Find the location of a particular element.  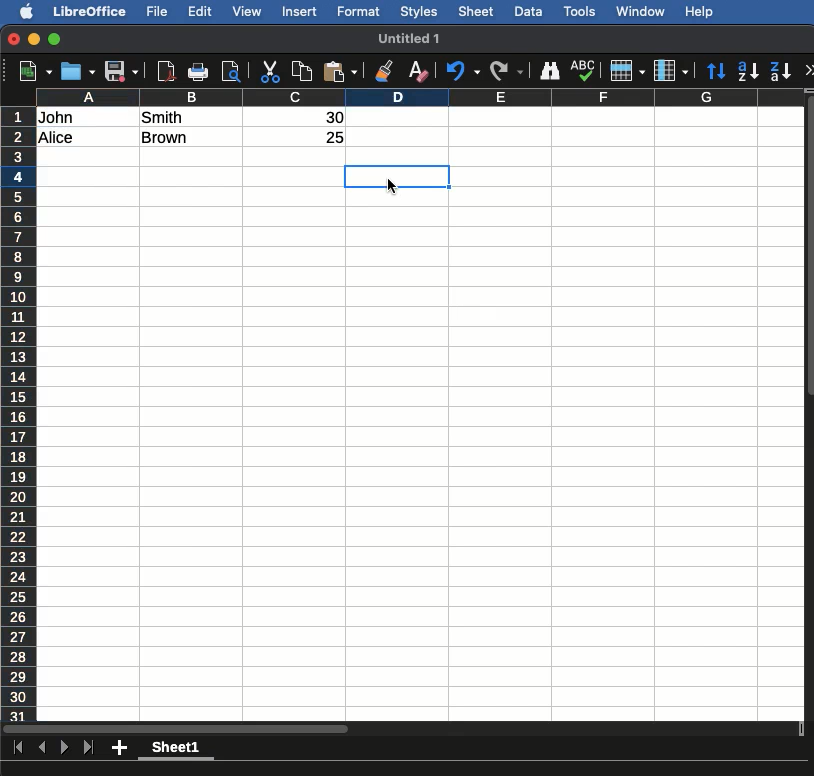

Apple logo is located at coordinates (29, 11).